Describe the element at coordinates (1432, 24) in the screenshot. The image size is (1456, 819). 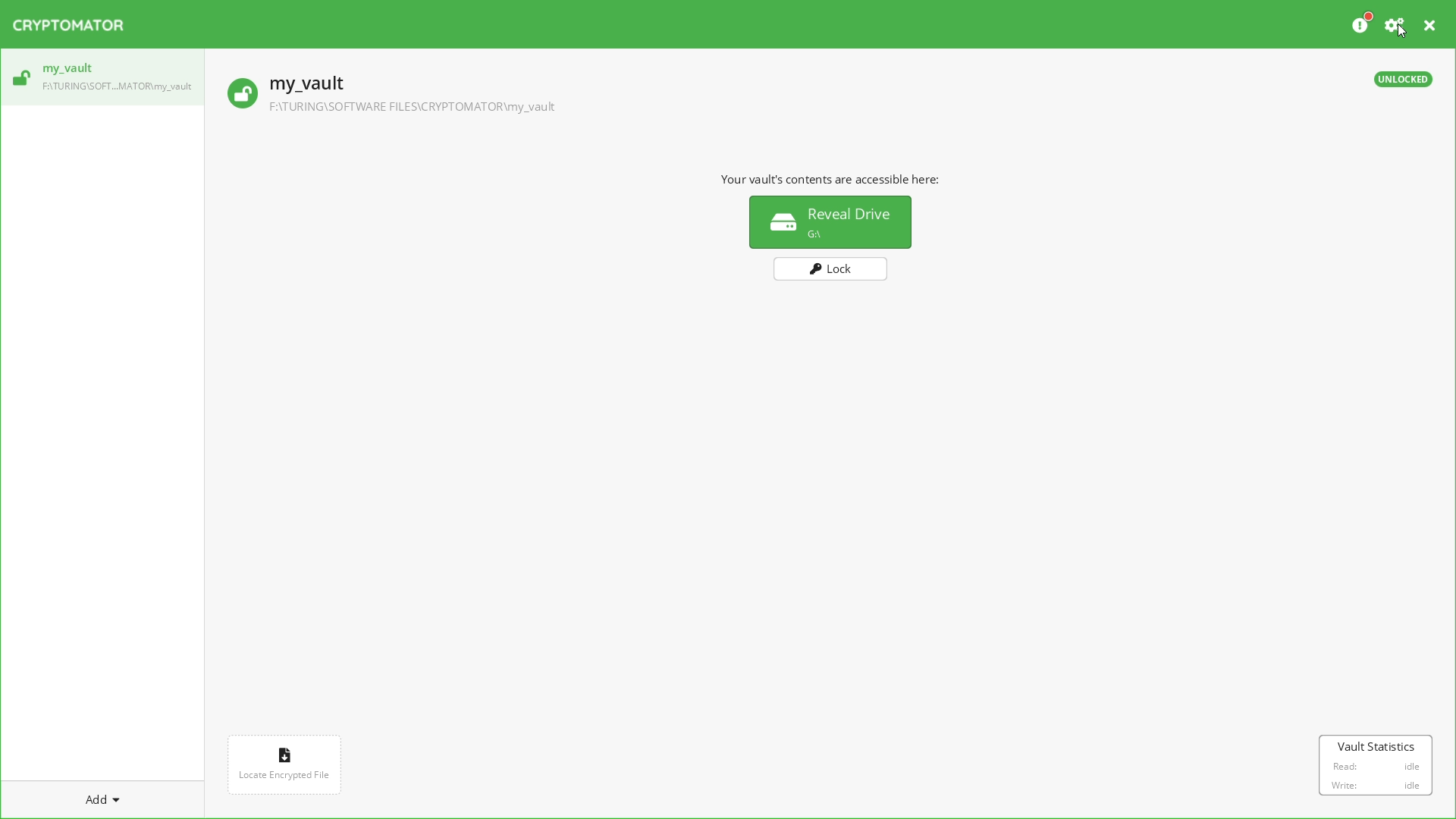
I see `Close` at that location.